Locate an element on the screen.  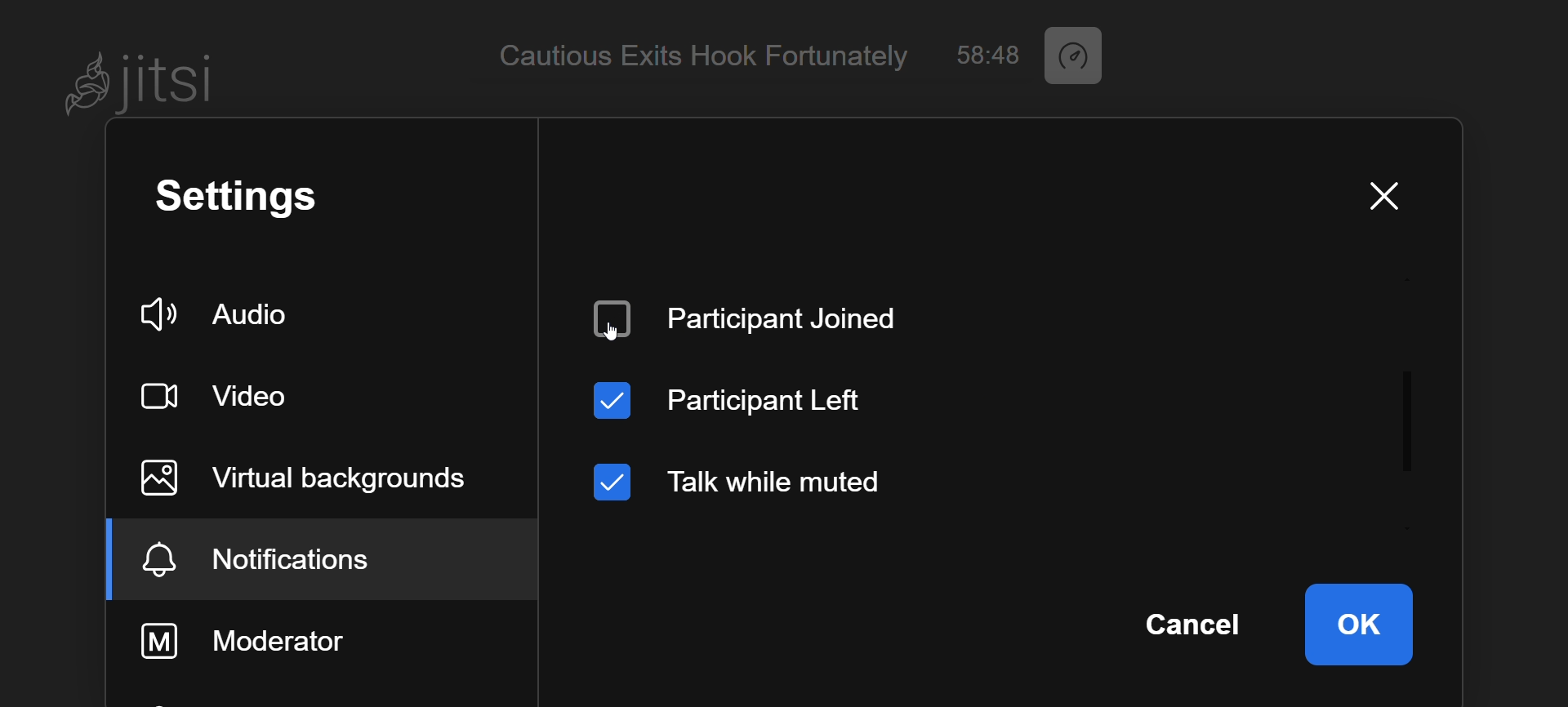
video is located at coordinates (229, 395).